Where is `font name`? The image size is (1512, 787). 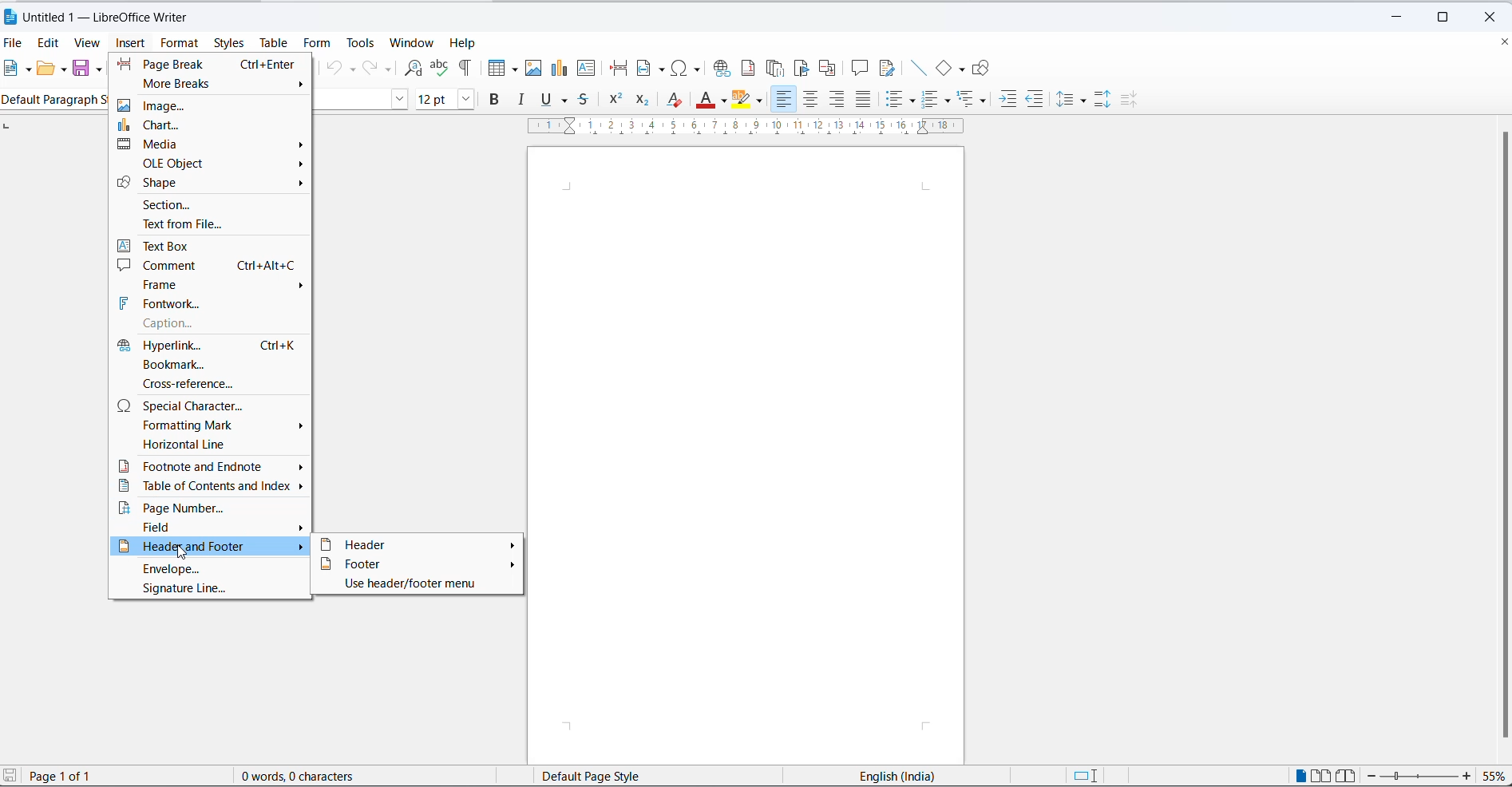
font name is located at coordinates (350, 98).